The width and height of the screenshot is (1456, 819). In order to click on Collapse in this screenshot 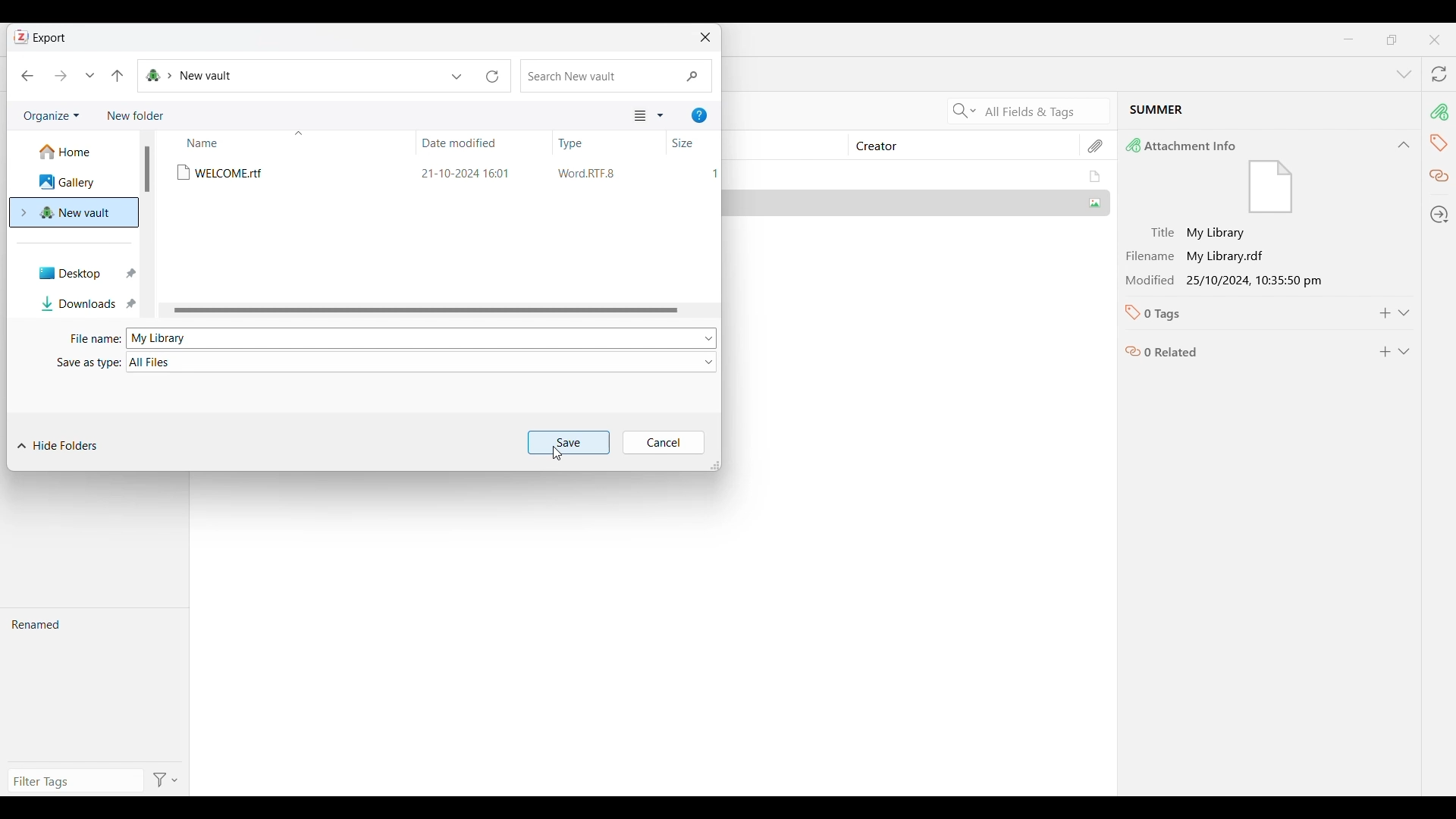, I will do `click(1404, 145)`.